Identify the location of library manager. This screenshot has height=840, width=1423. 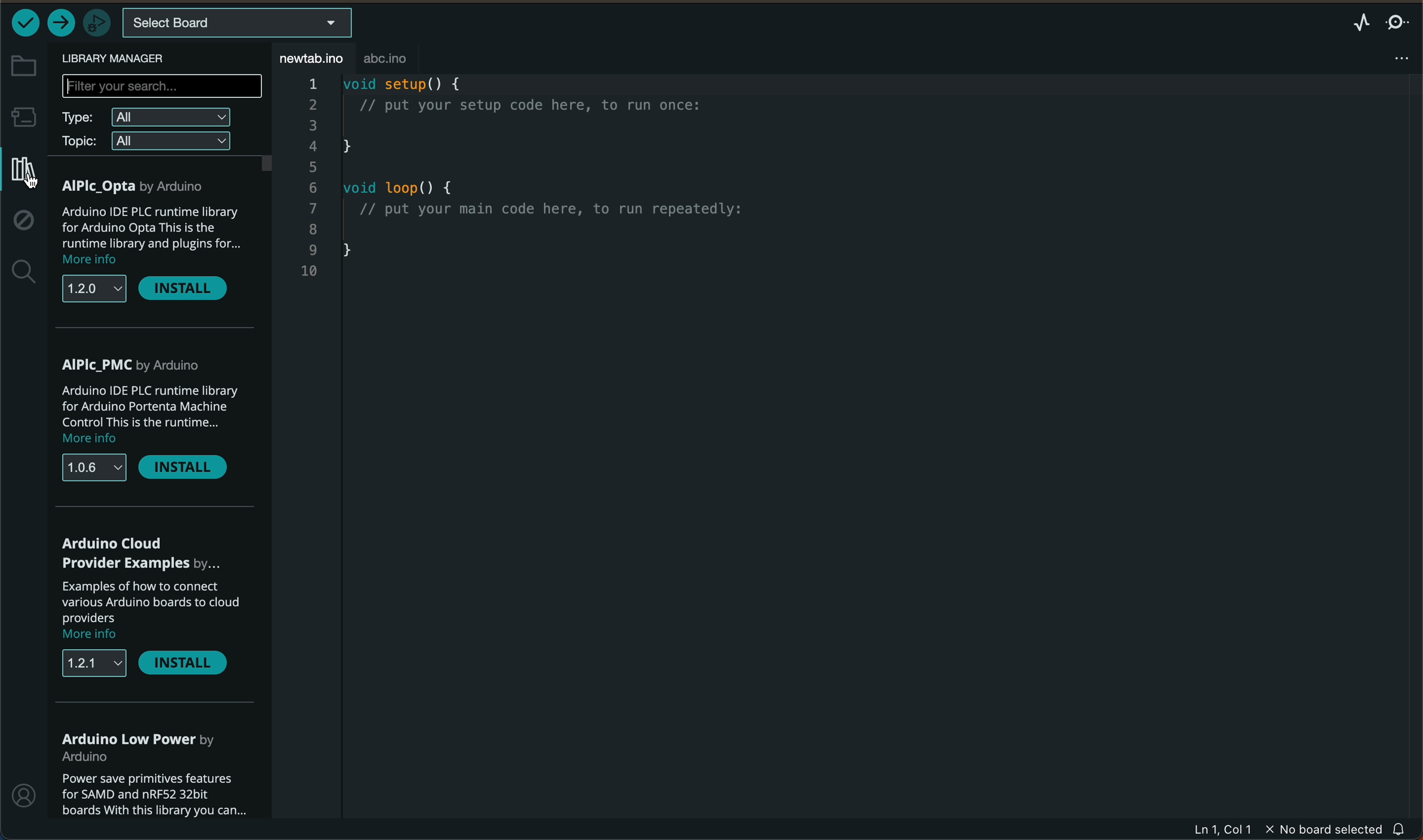
(125, 59).